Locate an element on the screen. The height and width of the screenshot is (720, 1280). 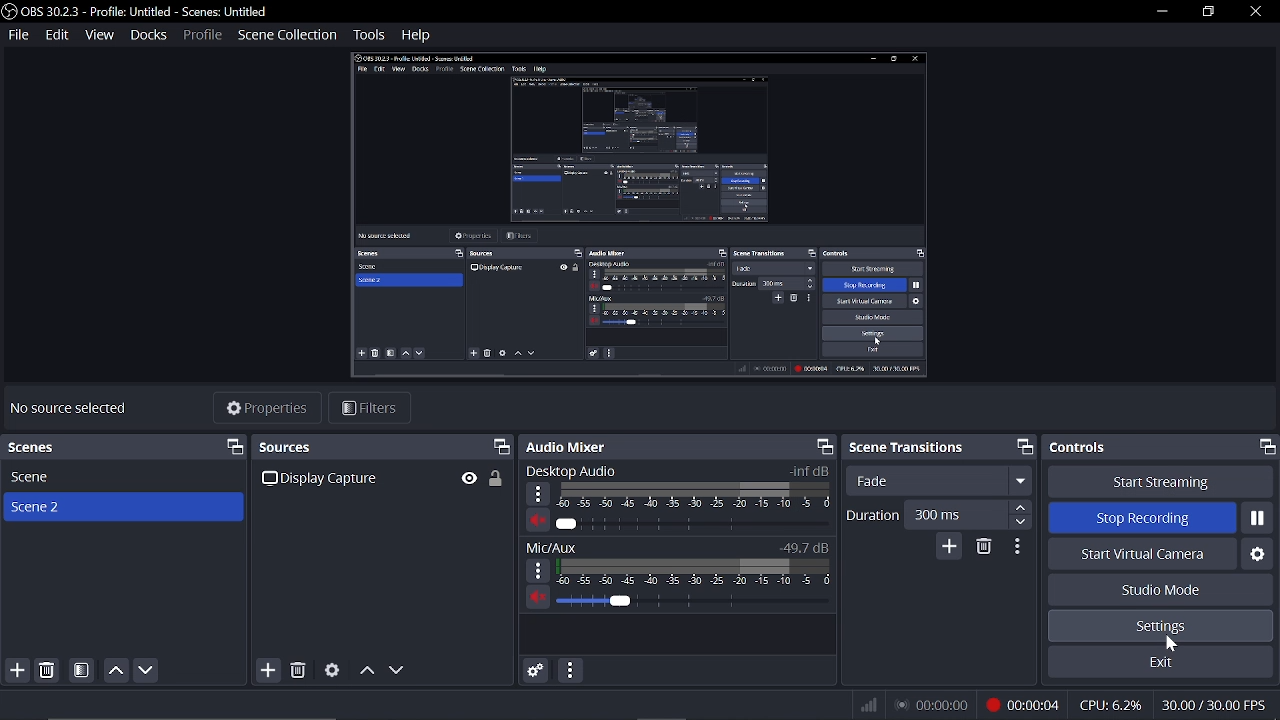
300 ms is located at coordinates (967, 512).